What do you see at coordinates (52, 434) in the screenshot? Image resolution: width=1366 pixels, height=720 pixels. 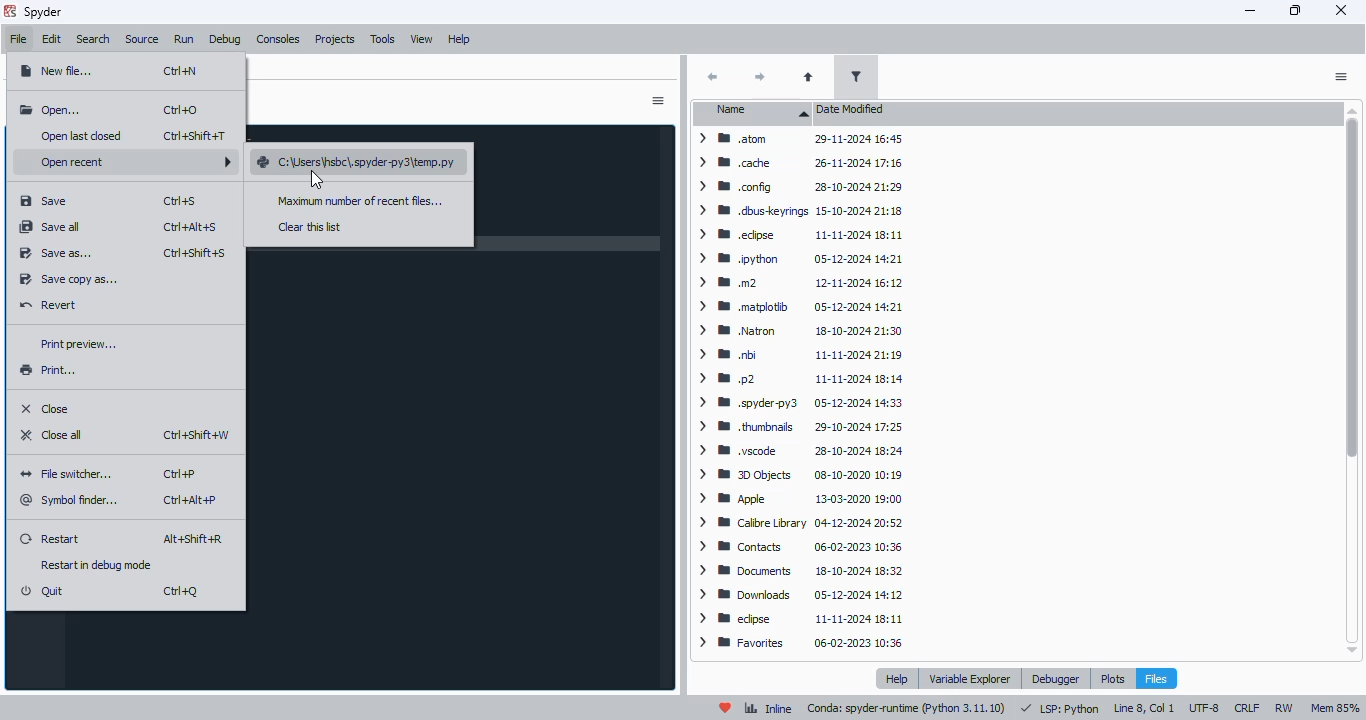 I see `close all` at bounding box center [52, 434].